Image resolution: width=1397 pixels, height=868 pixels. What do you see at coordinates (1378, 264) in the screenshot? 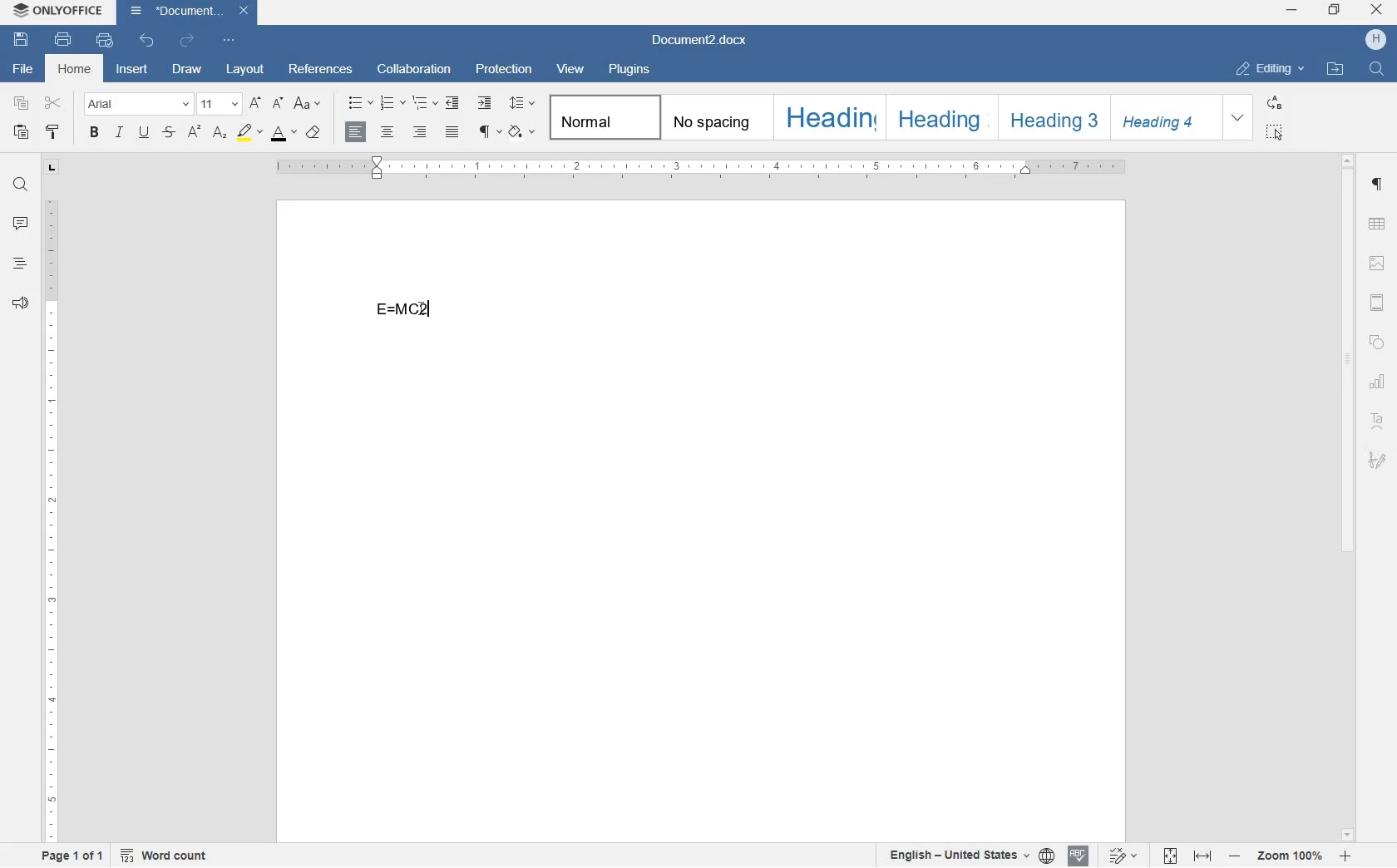
I see `image` at bounding box center [1378, 264].